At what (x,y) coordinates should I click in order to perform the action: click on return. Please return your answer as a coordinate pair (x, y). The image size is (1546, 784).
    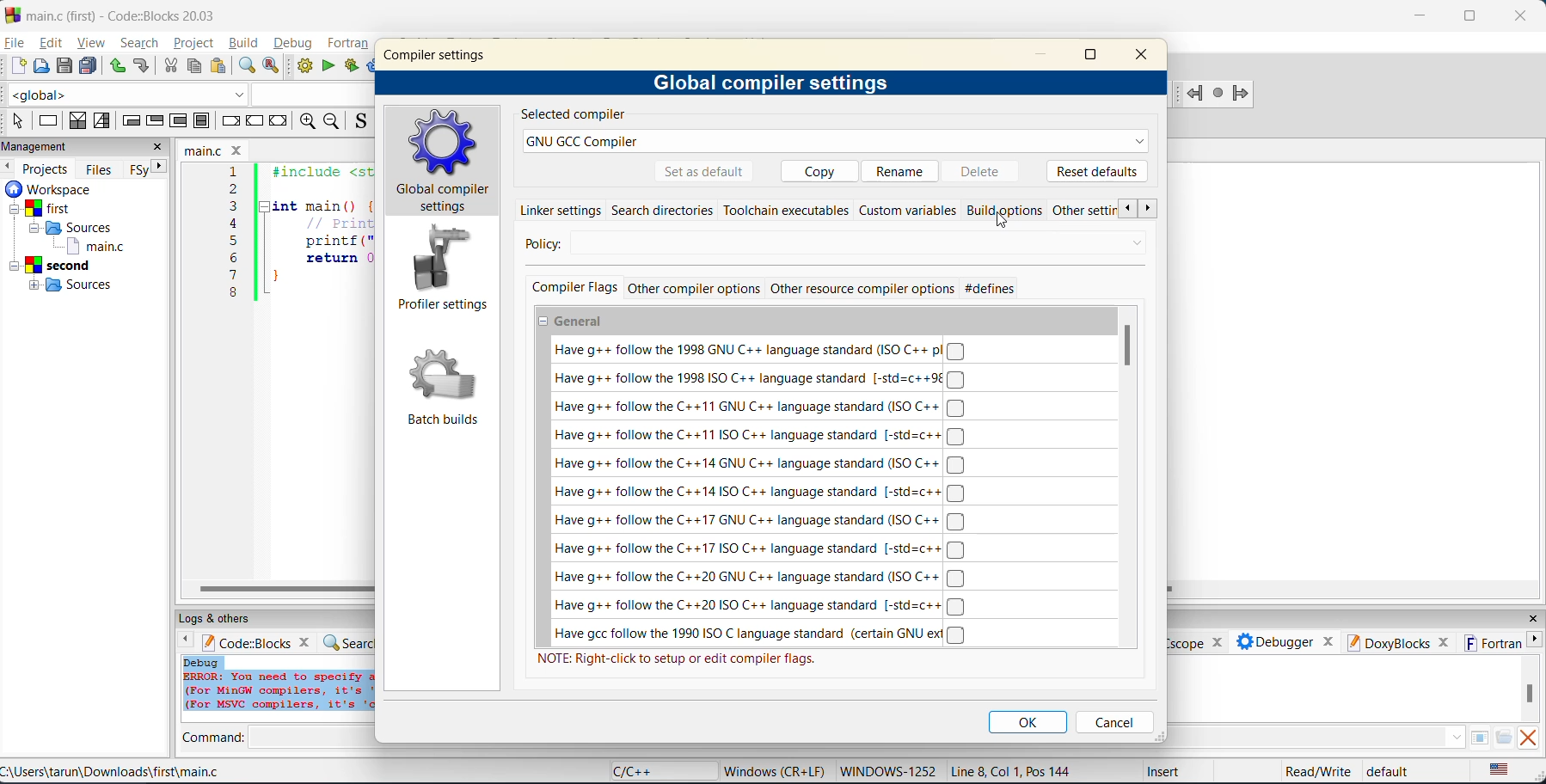
    Looking at the image, I should click on (281, 120).